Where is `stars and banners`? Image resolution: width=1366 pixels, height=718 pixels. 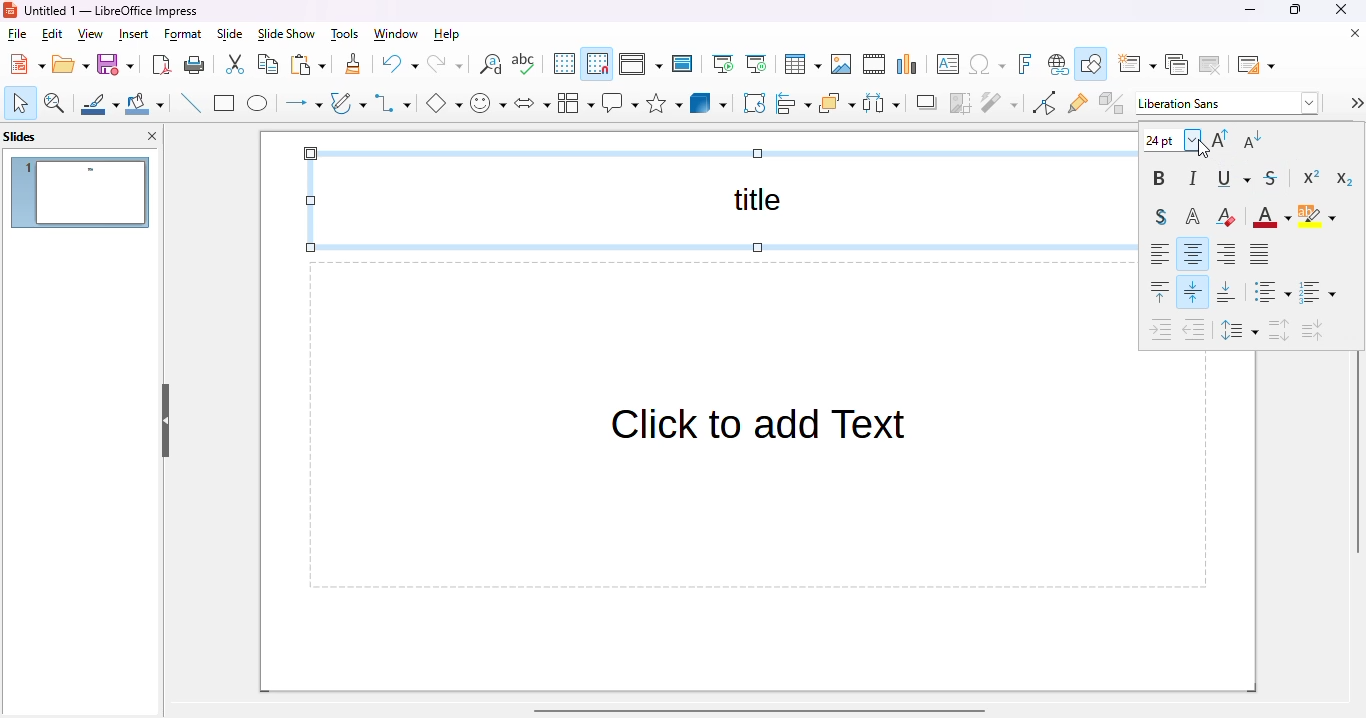 stars and banners is located at coordinates (664, 102).